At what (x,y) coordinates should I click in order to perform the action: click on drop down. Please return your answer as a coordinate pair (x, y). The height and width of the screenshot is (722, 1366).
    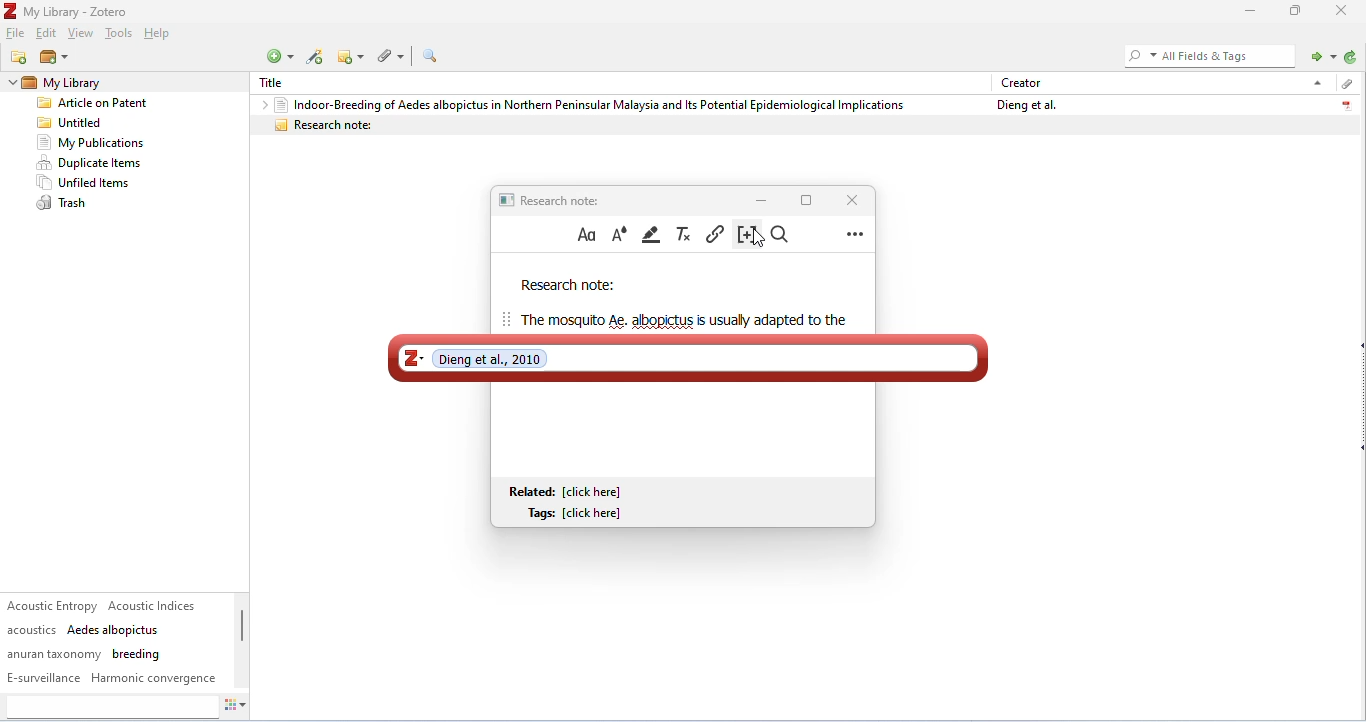
    Looking at the image, I should click on (260, 105).